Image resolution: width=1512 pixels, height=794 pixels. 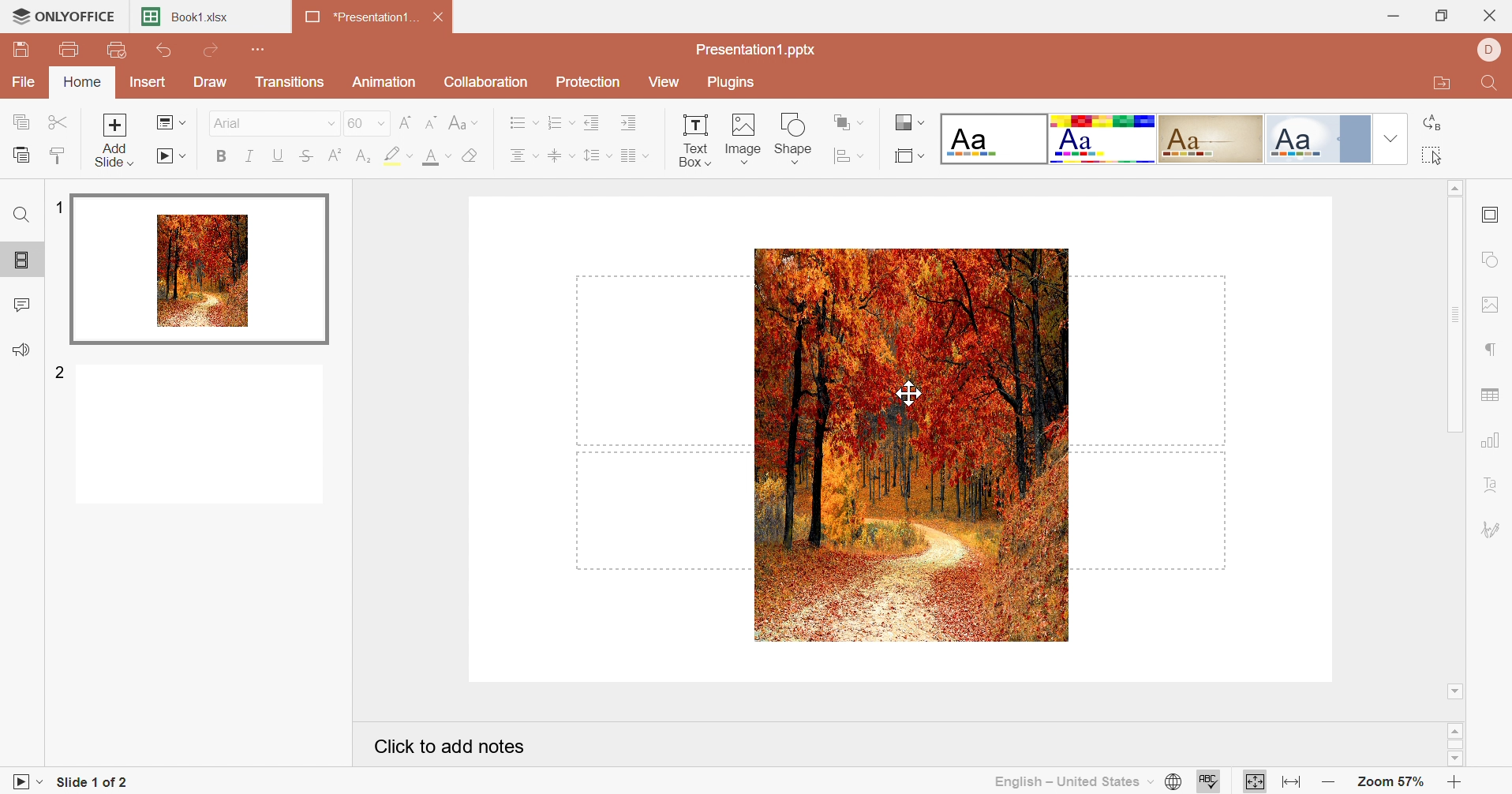 What do you see at coordinates (1390, 139) in the screenshot?
I see `Drop Down` at bounding box center [1390, 139].